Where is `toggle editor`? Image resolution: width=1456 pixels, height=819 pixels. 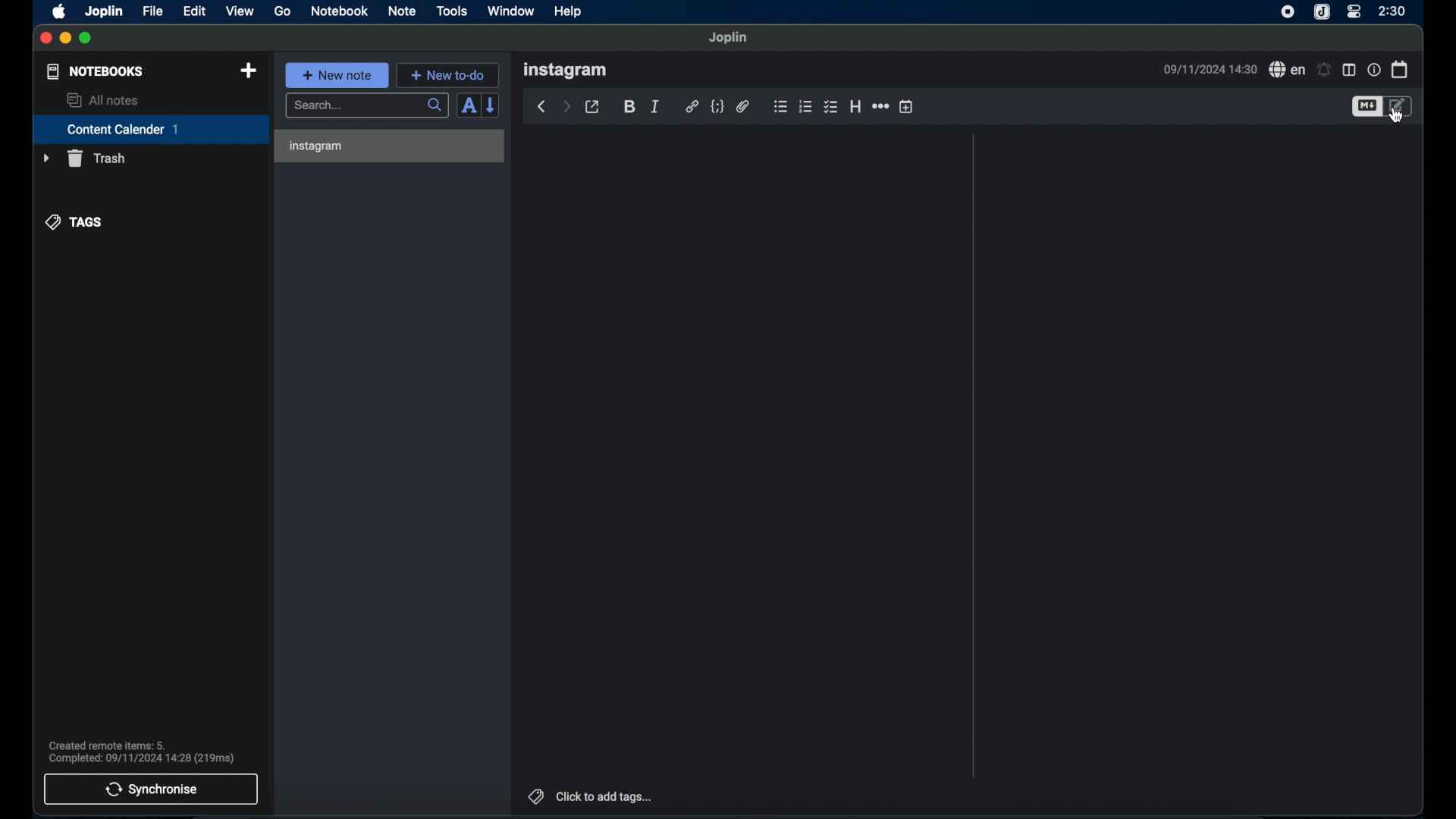 toggle editor is located at coordinates (1401, 106).